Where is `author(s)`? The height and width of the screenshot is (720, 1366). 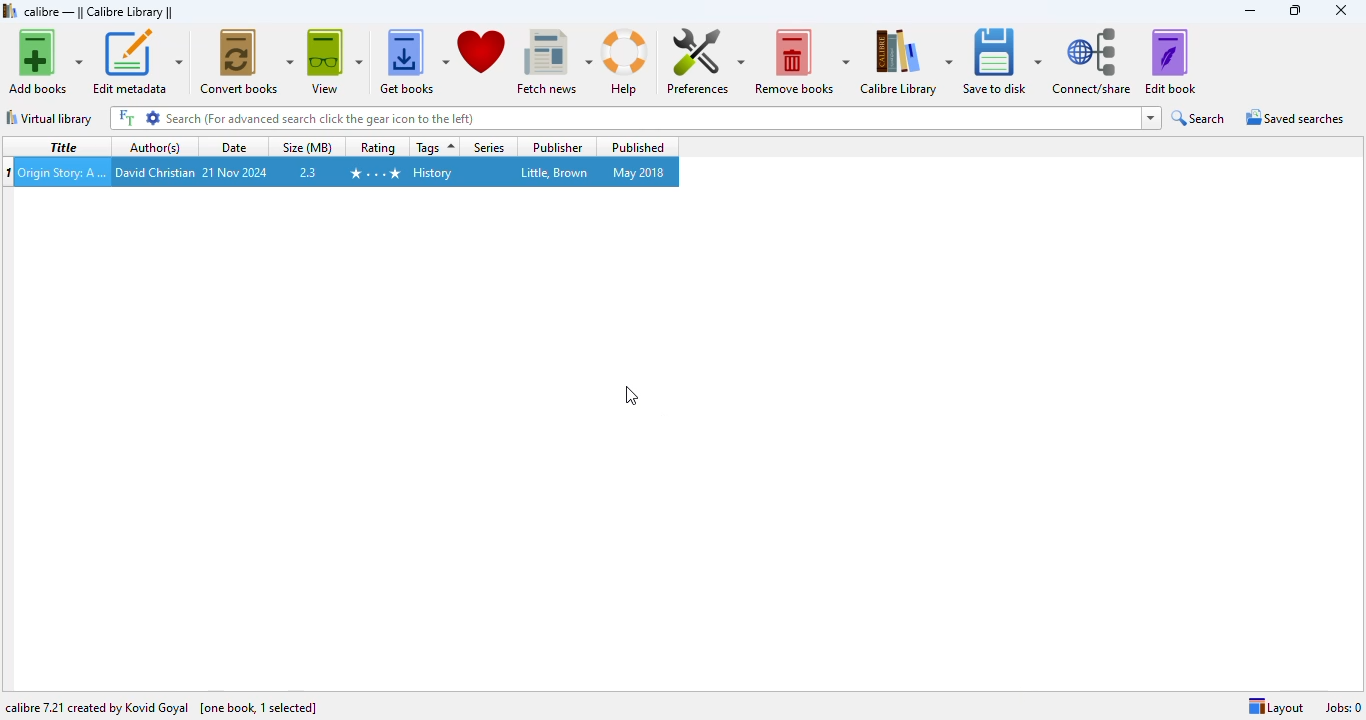 author(s) is located at coordinates (154, 147).